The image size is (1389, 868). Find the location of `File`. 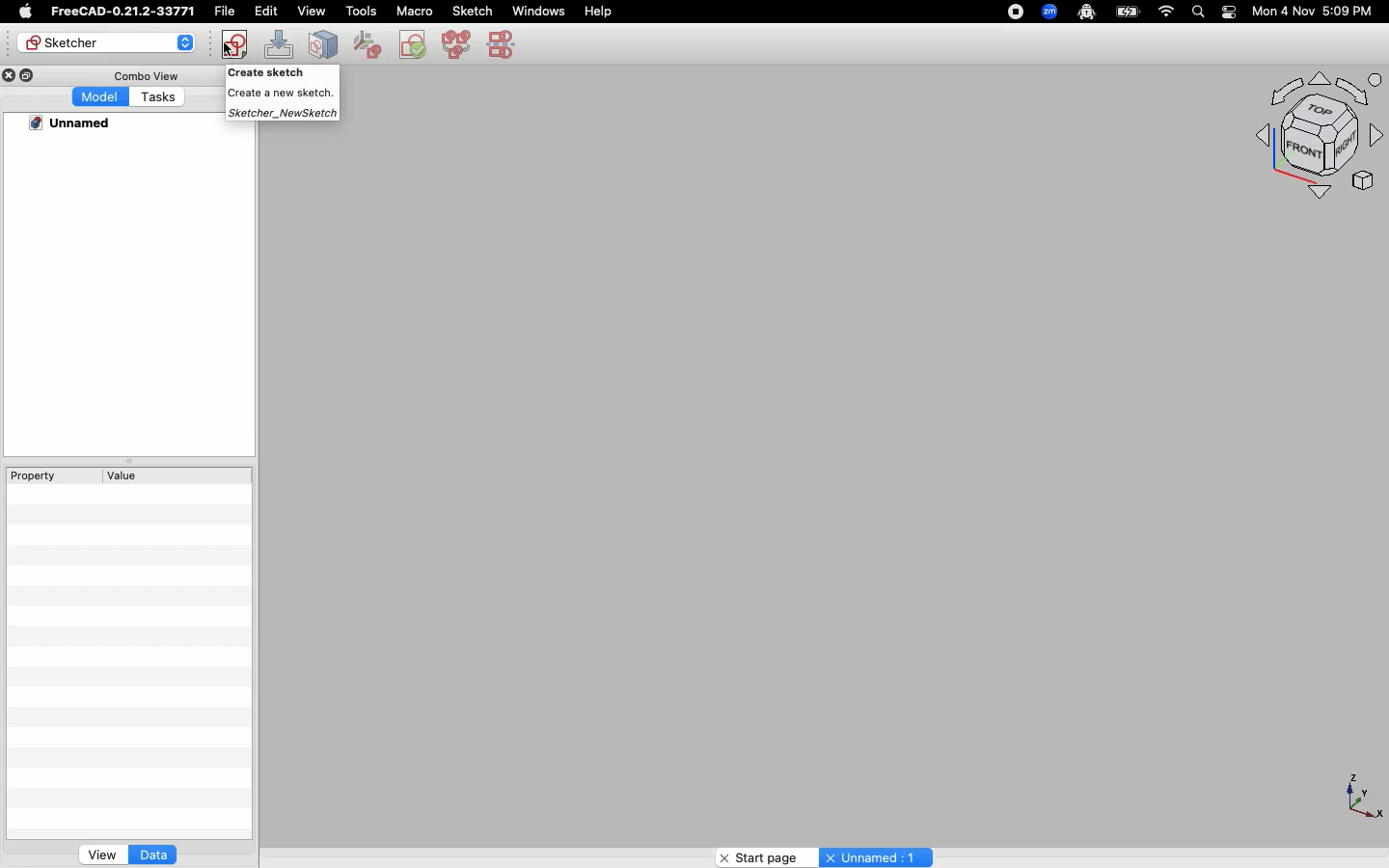

File is located at coordinates (223, 10).